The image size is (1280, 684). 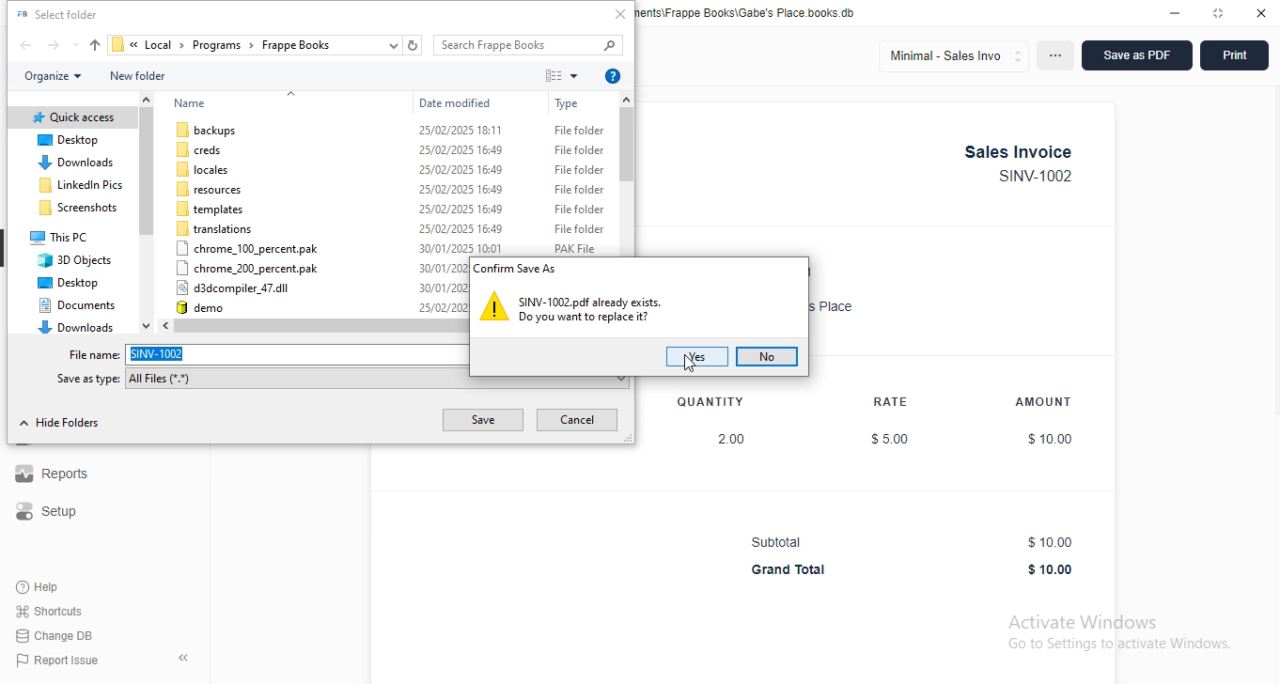 I want to click on SINV-1002, so click(x=297, y=354).